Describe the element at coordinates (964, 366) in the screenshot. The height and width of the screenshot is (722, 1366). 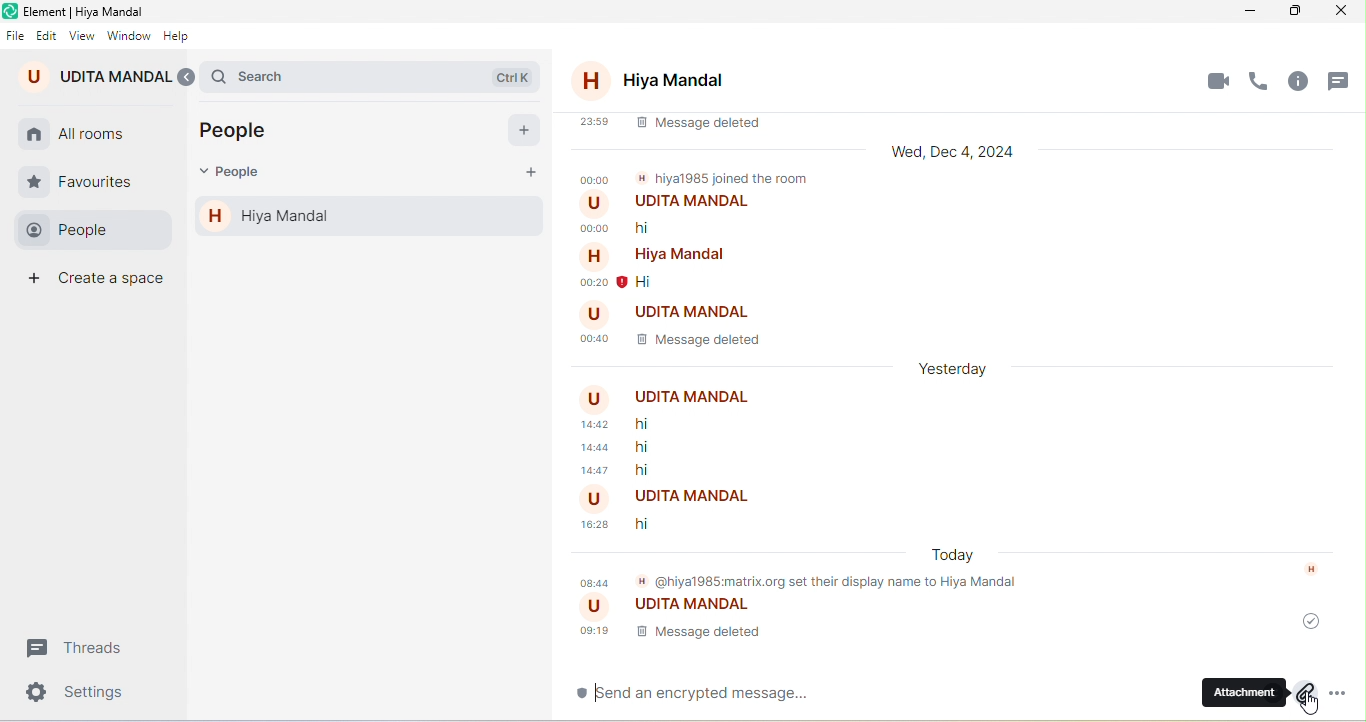
I see `yesterday` at that location.